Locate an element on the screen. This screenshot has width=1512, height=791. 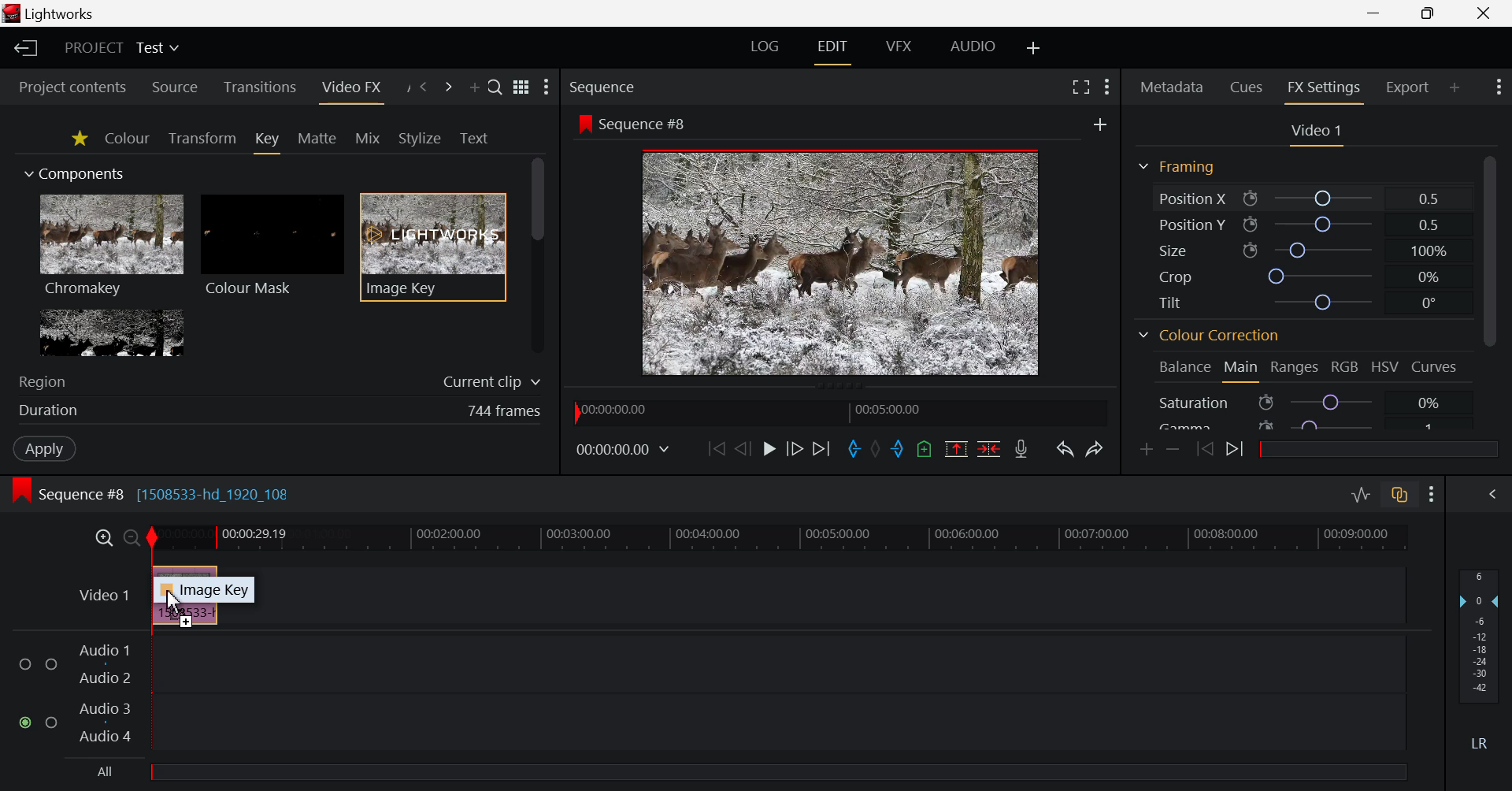
Image Key  is located at coordinates (214, 590).